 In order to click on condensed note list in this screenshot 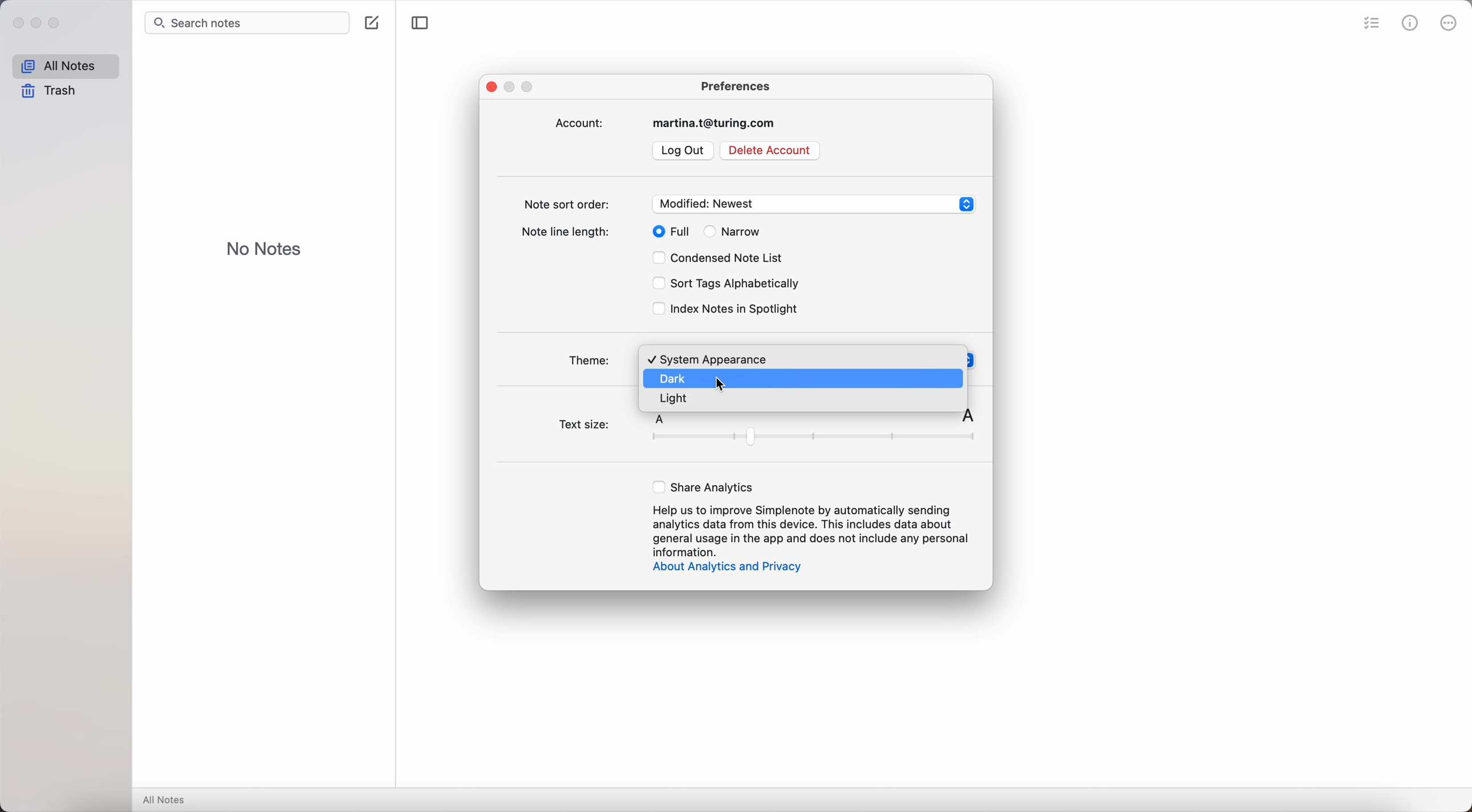, I will do `click(721, 259)`.